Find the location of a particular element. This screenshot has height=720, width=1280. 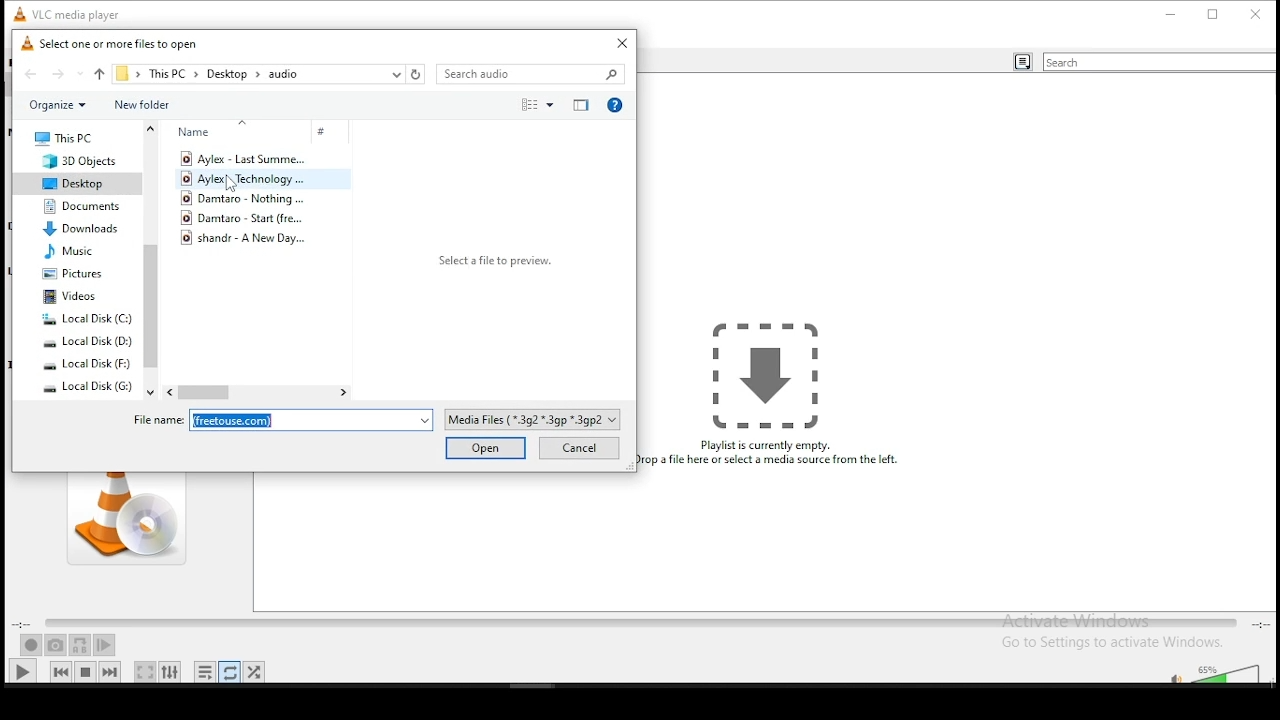

minimize is located at coordinates (1172, 13).